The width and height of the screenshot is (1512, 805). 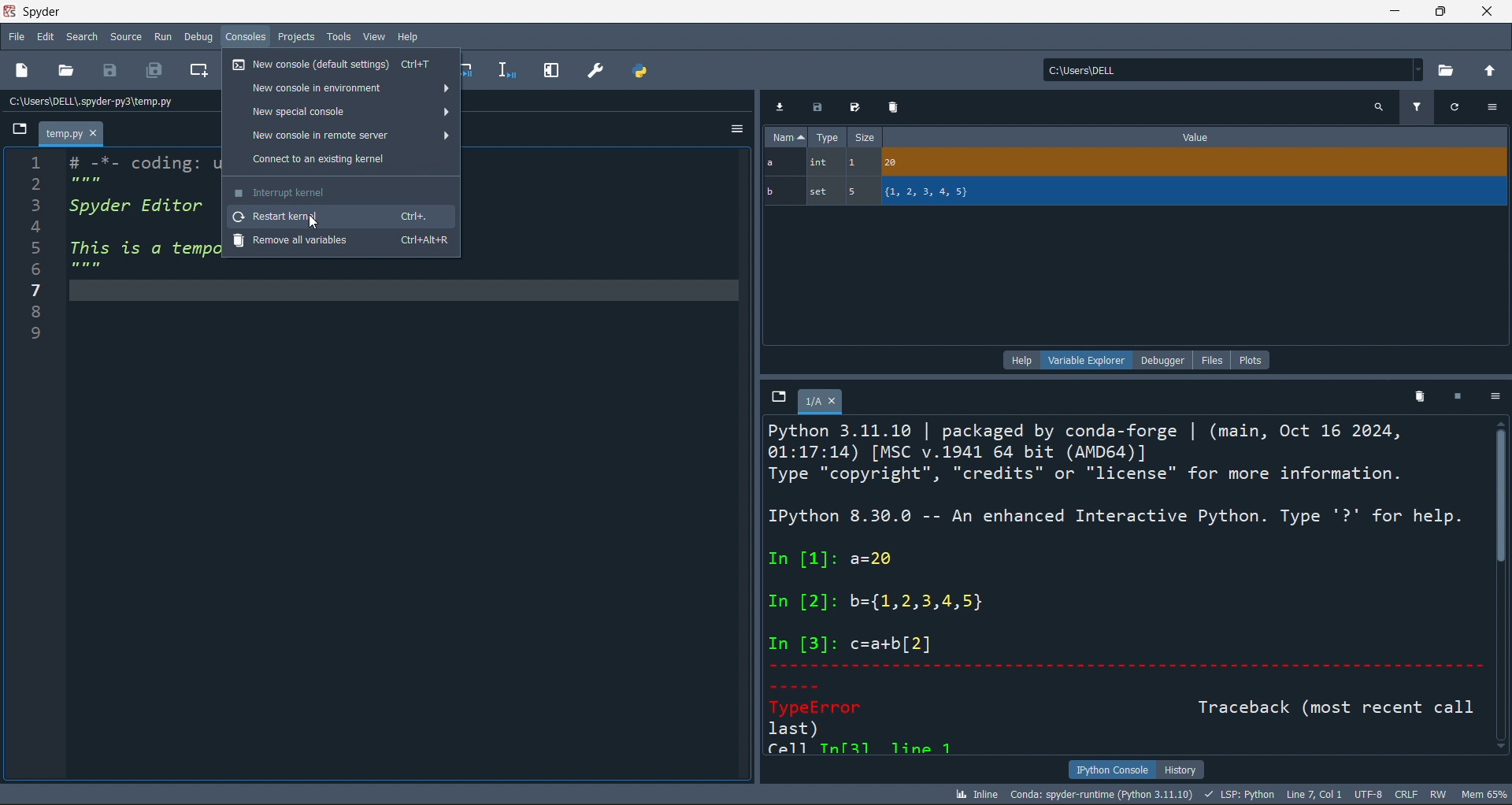 What do you see at coordinates (506, 69) in the screenshot?
I see `debug line` at bounding box center [506, 69].